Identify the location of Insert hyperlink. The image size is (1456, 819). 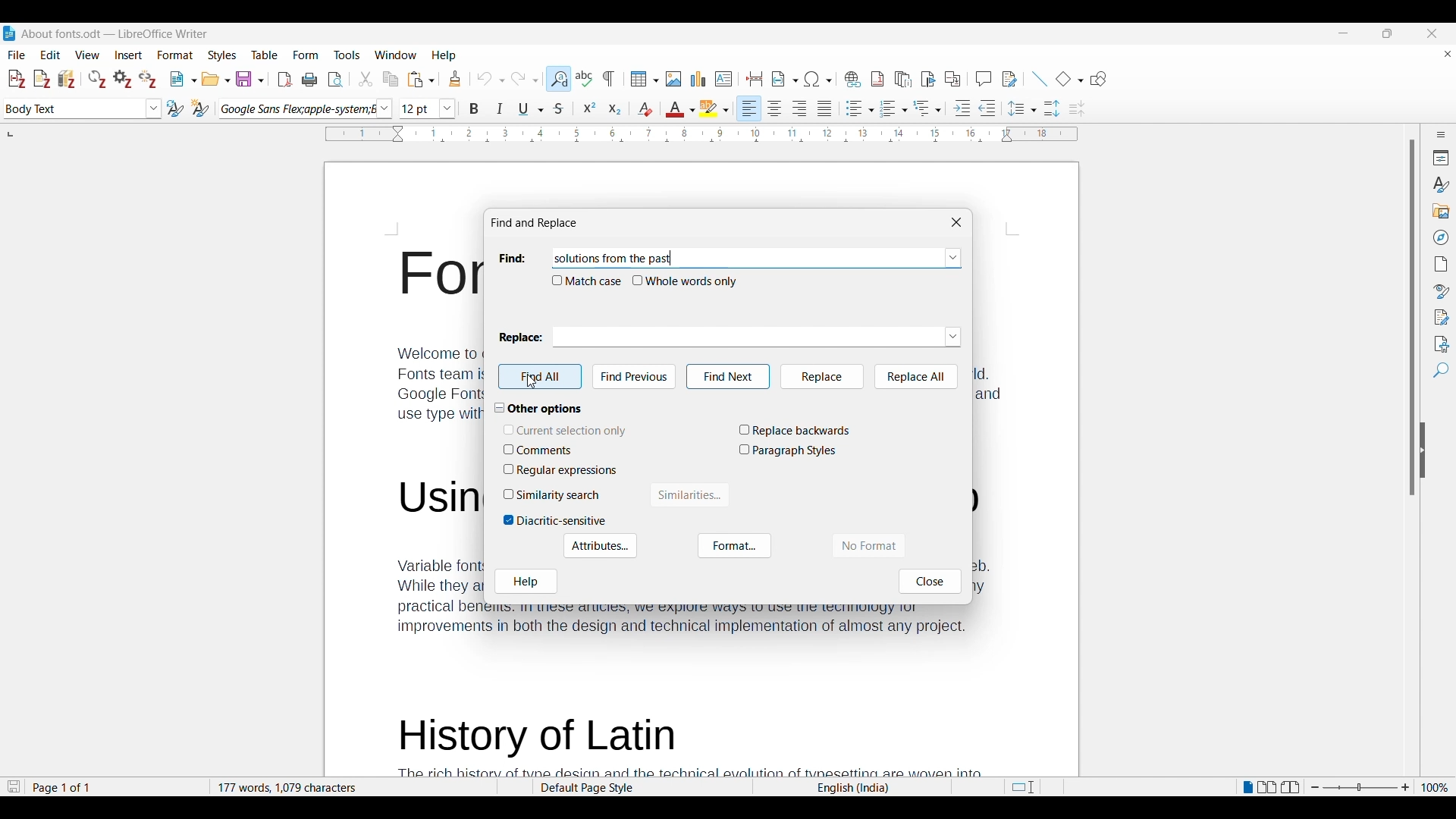
(853, 79).